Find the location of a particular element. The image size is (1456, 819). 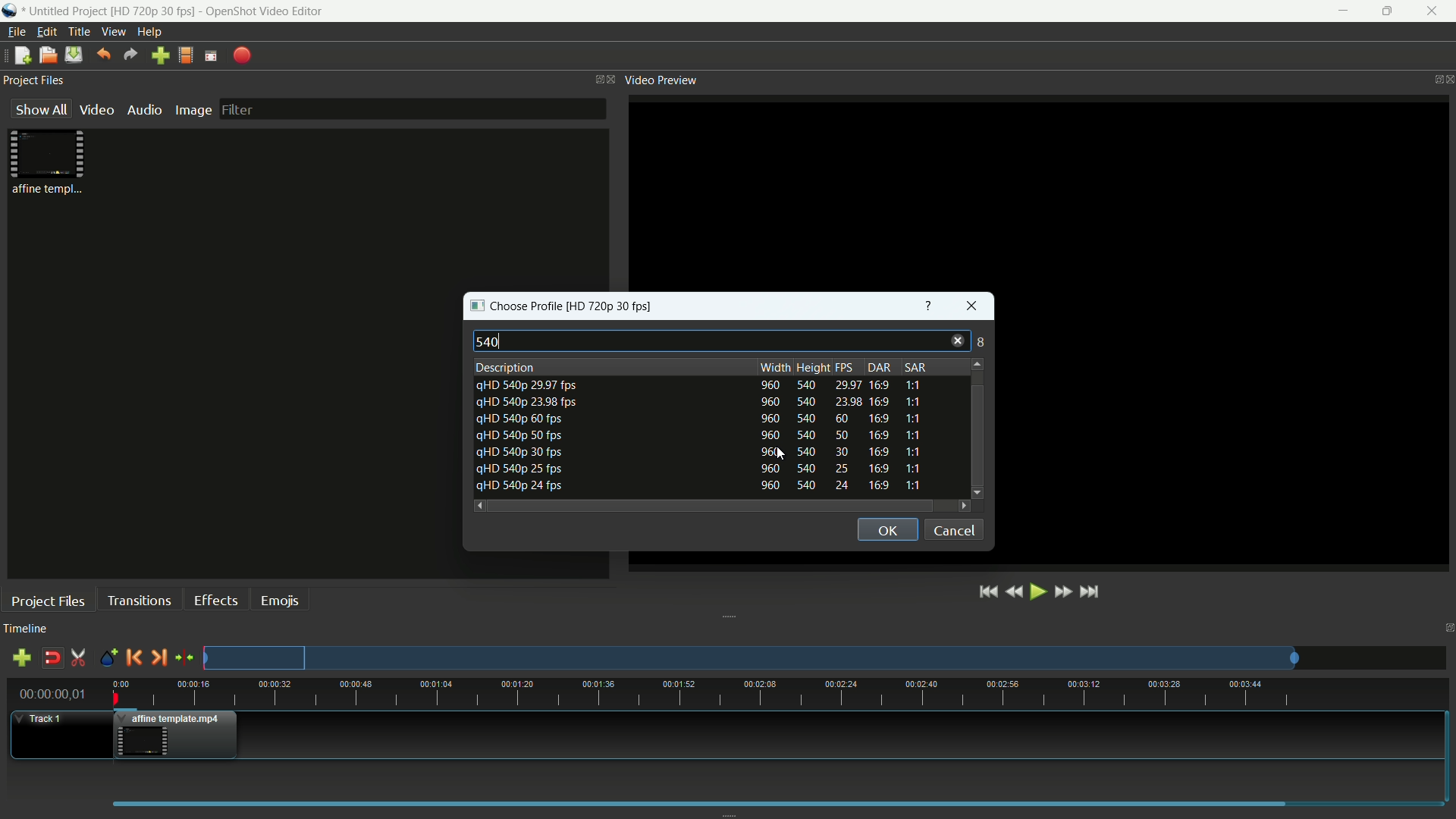

maximize is located at coordinates (1389, 12).